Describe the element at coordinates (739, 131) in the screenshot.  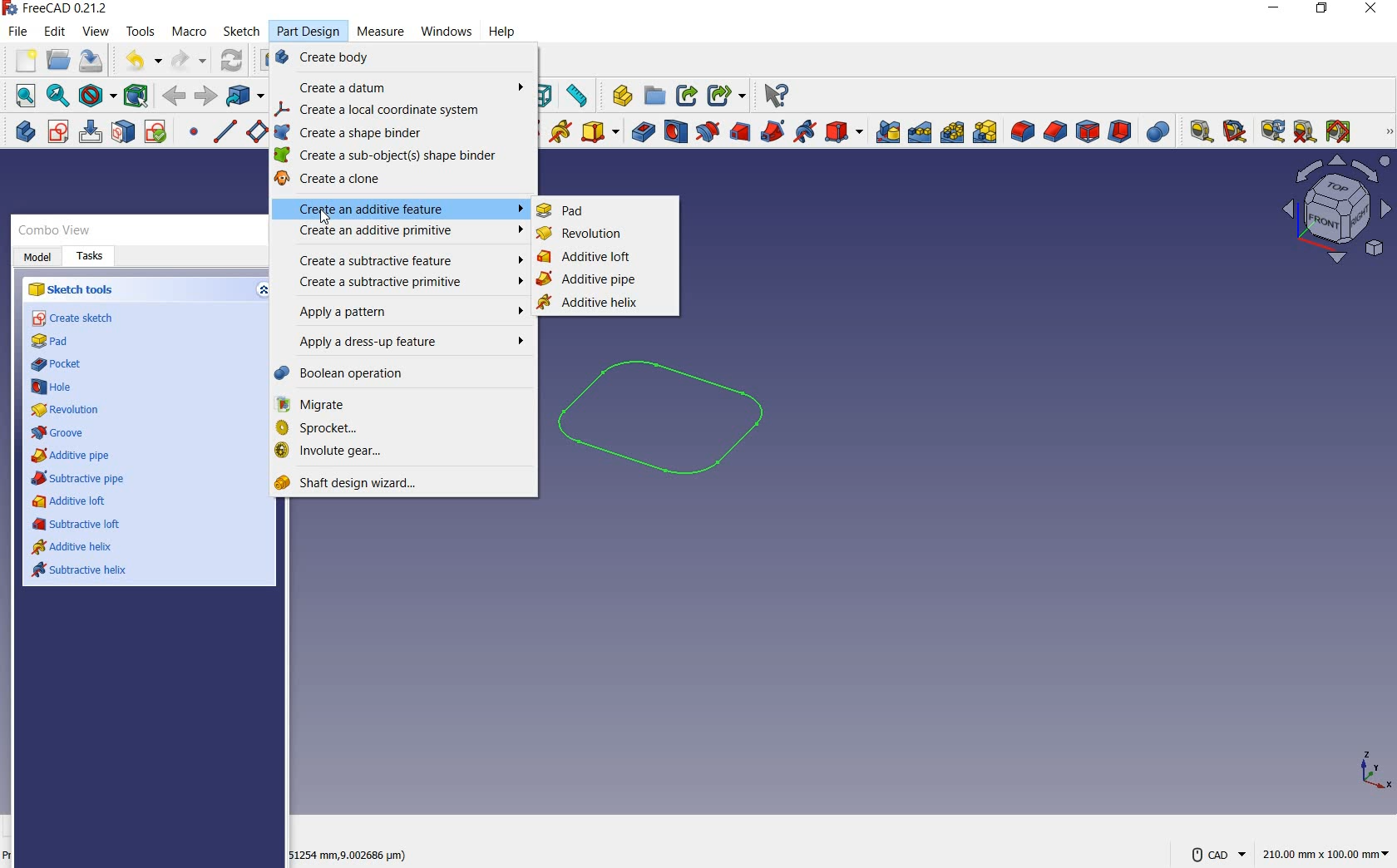
I see `subtractive loft` at that location.